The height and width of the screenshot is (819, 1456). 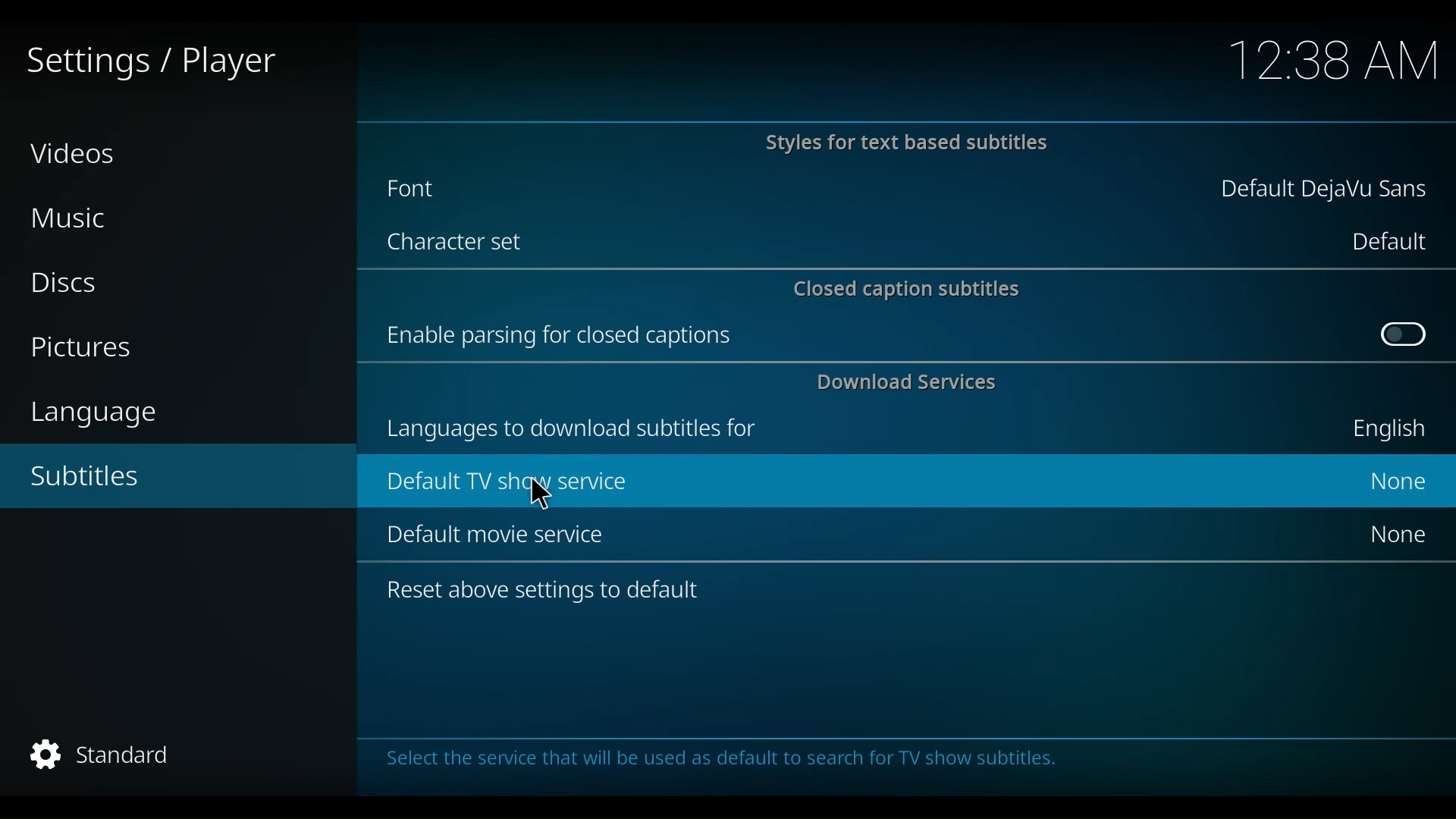 What do you see at coordinates (1400, 533) in the screenshot?
I see `None` at bounding box center [1400, 533].